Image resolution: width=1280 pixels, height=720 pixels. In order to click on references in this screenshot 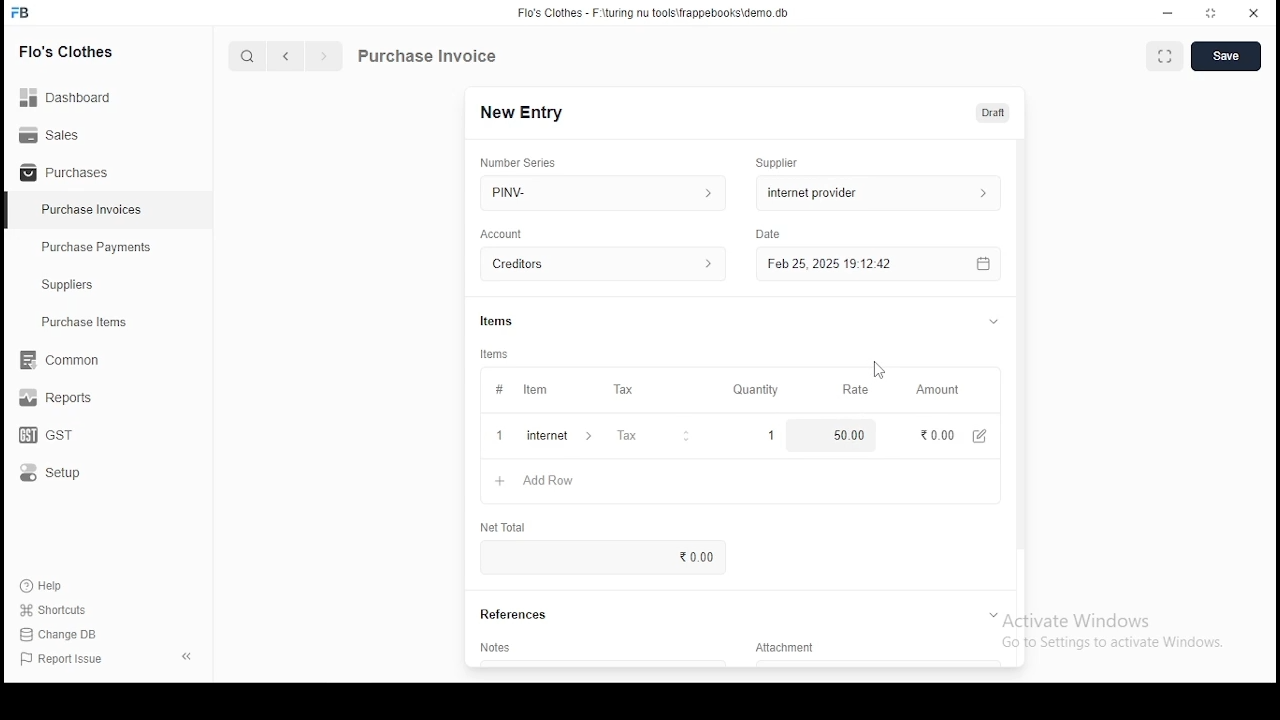, I will do `click(515, 615)`.